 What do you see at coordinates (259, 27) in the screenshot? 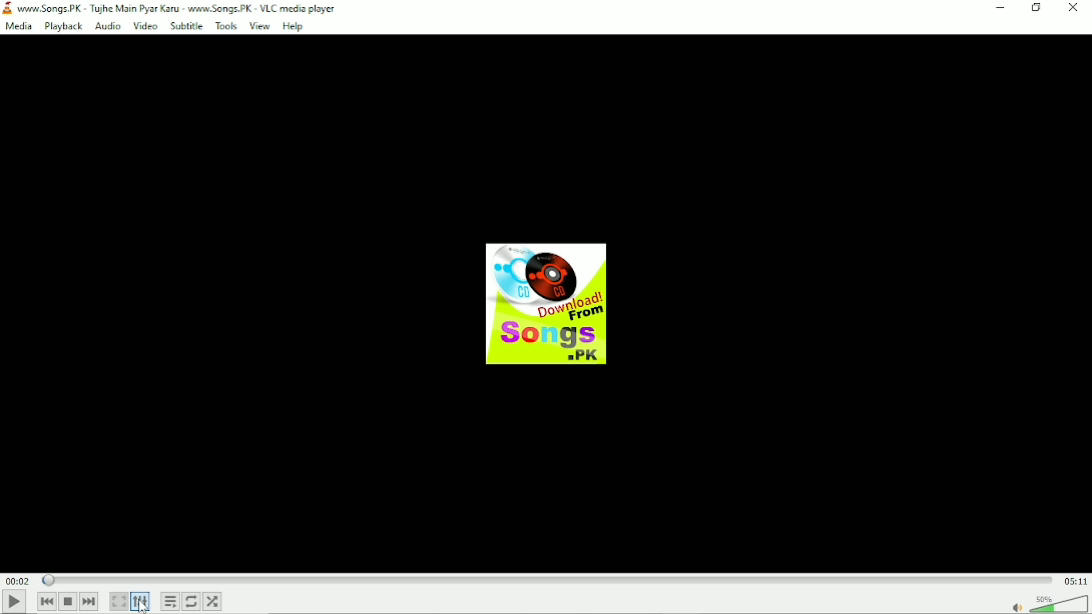
I see `View` at bounding box center [259, 27].